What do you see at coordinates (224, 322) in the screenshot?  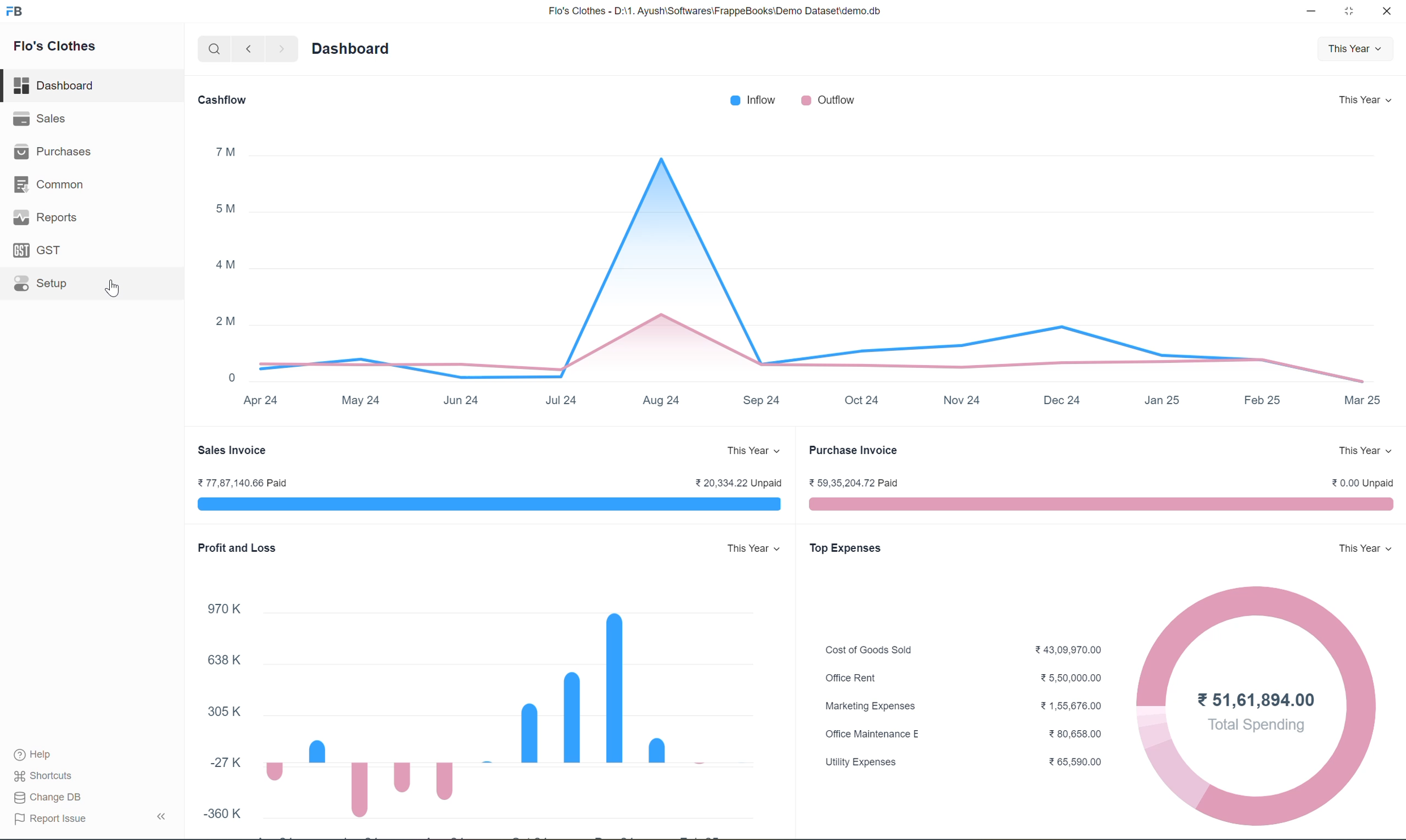 I see `2M` at bounding box center [224, 322].